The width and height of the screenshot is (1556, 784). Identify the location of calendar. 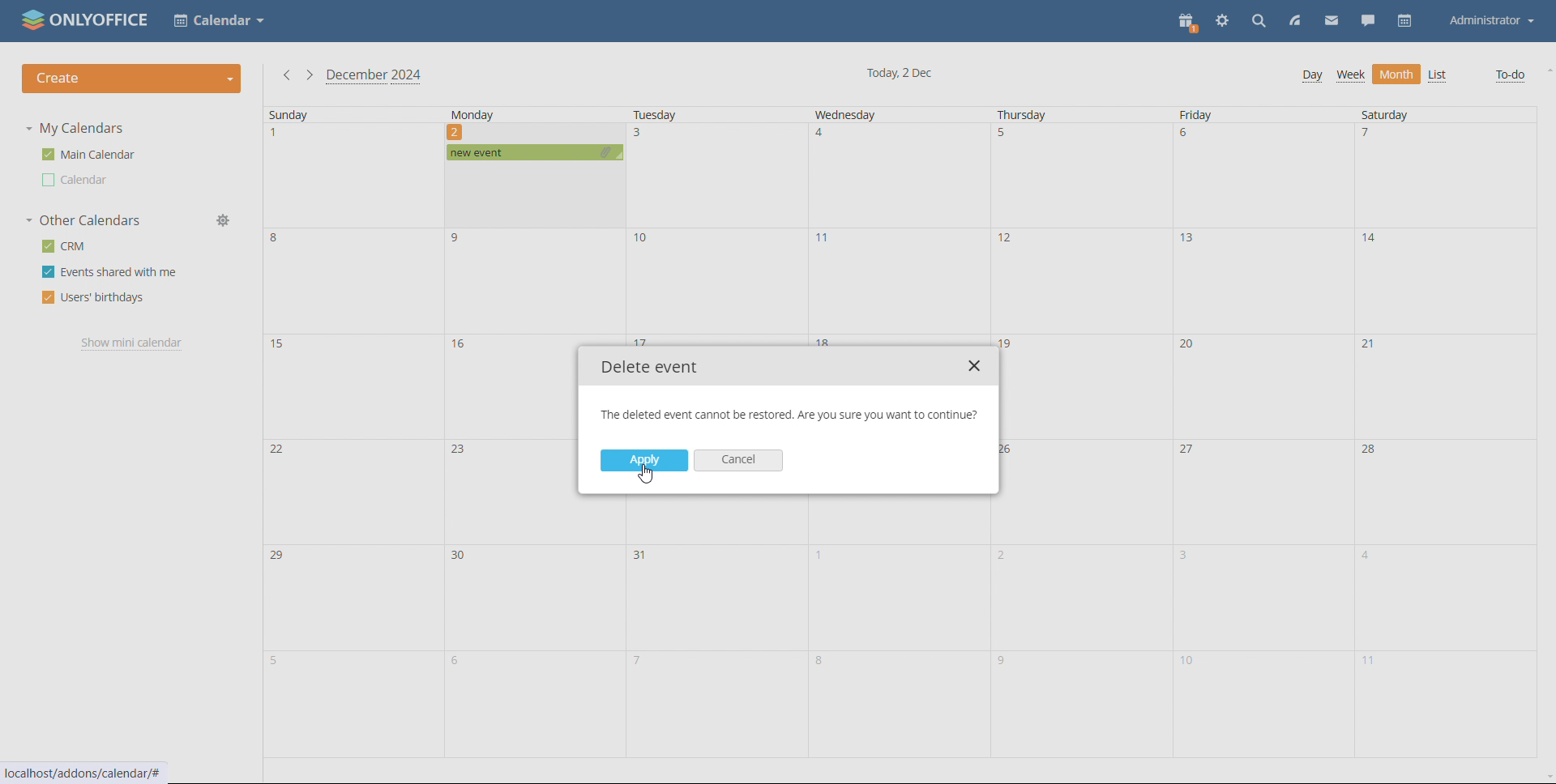
(1405, 22).